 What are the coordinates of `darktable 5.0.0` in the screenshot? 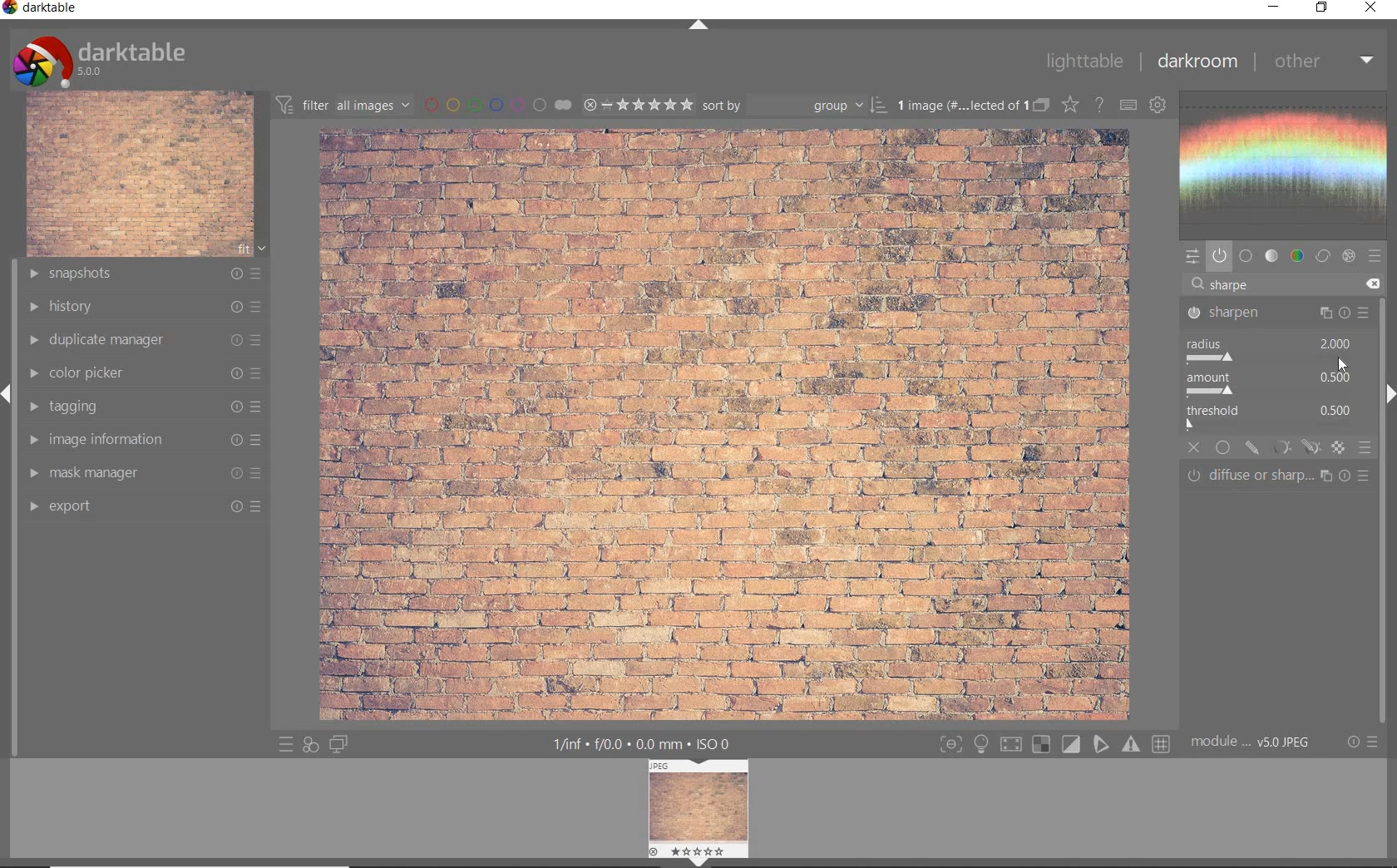 It's located at (102, 60).